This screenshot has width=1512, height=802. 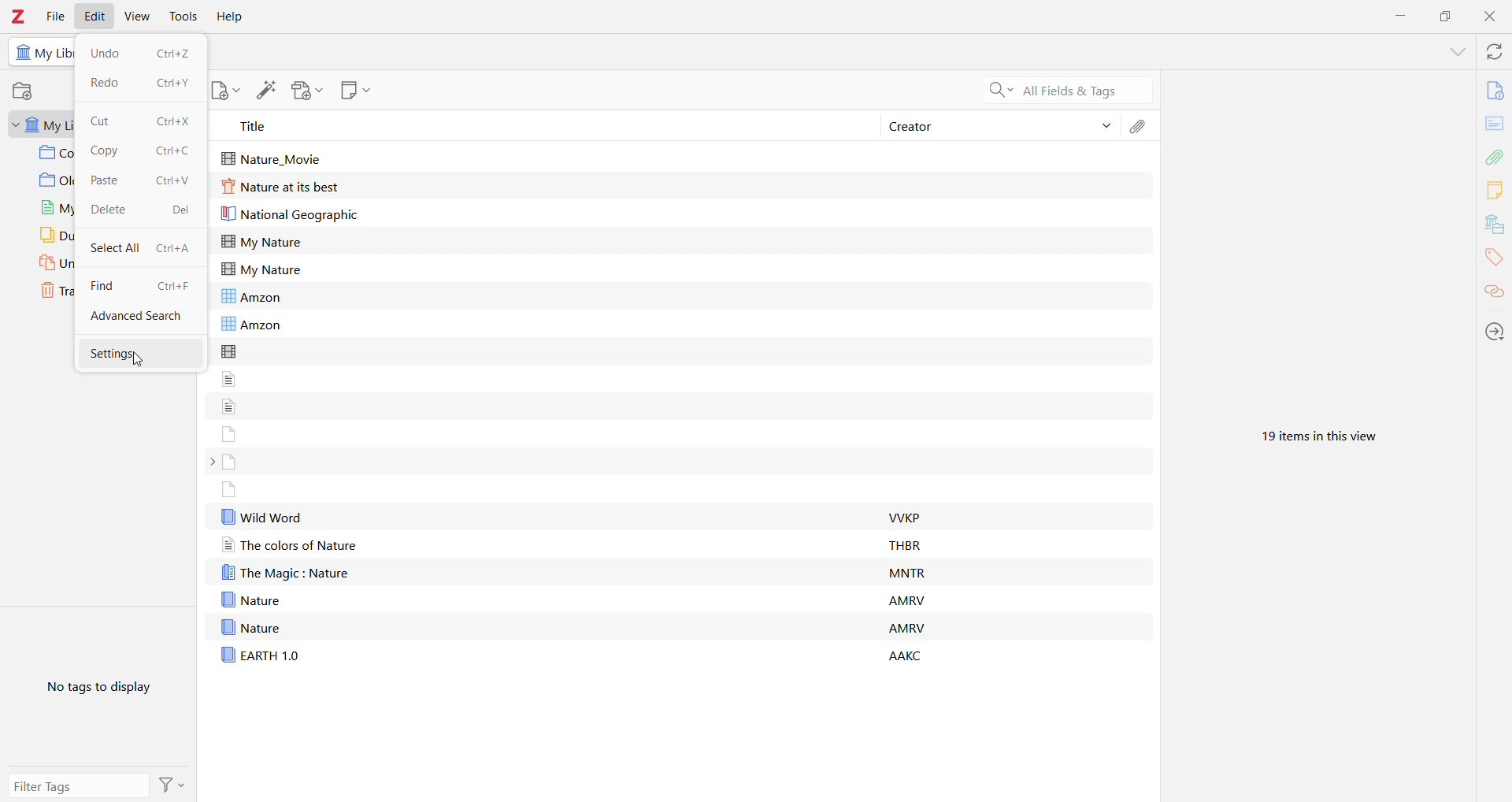 What do you see at coordinates (175, 121) in the screenshot?
I see `Ctrl+X` at bounding box center [175, 121].